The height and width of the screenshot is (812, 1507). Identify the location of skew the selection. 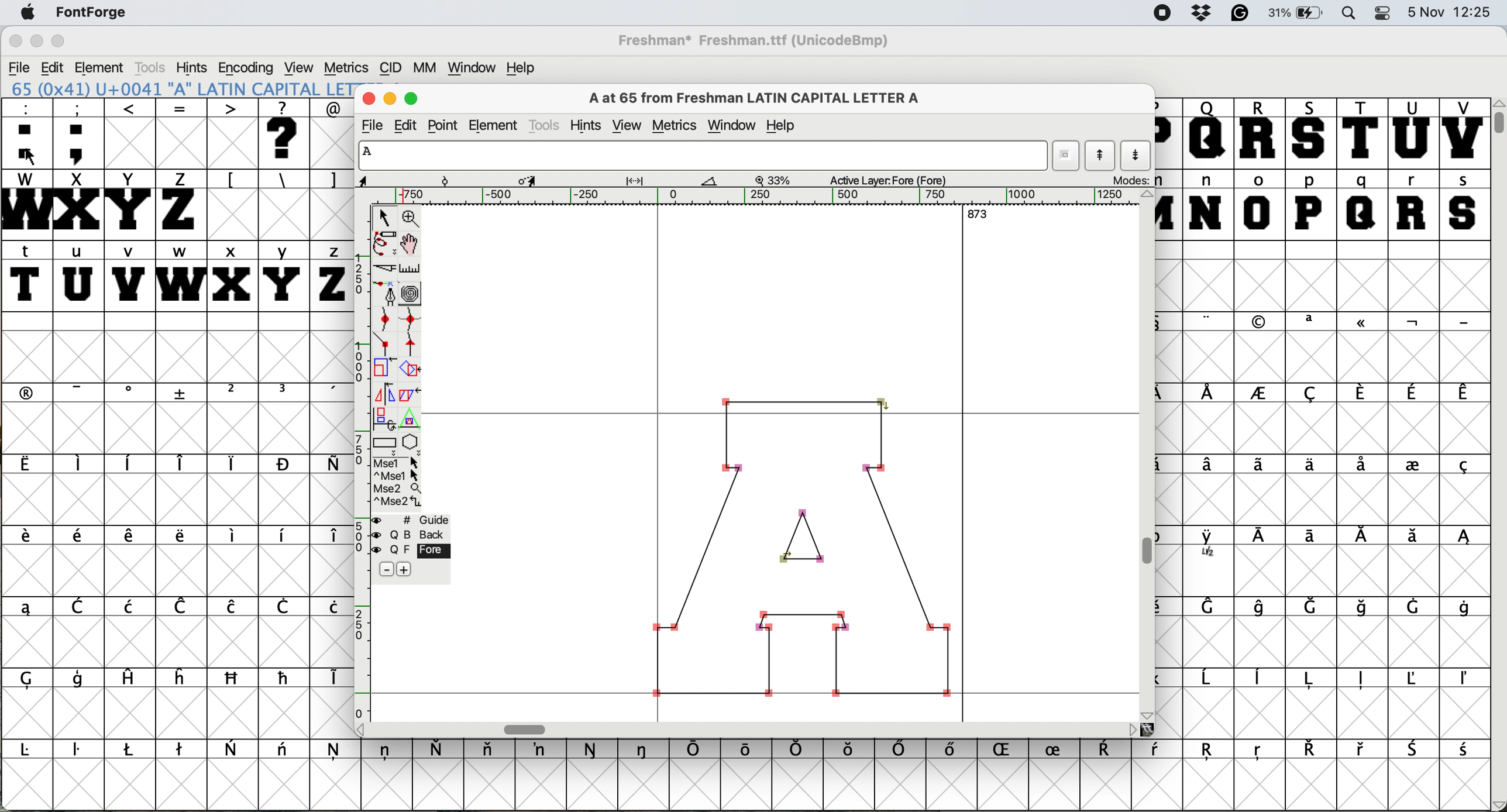
(411, 394).